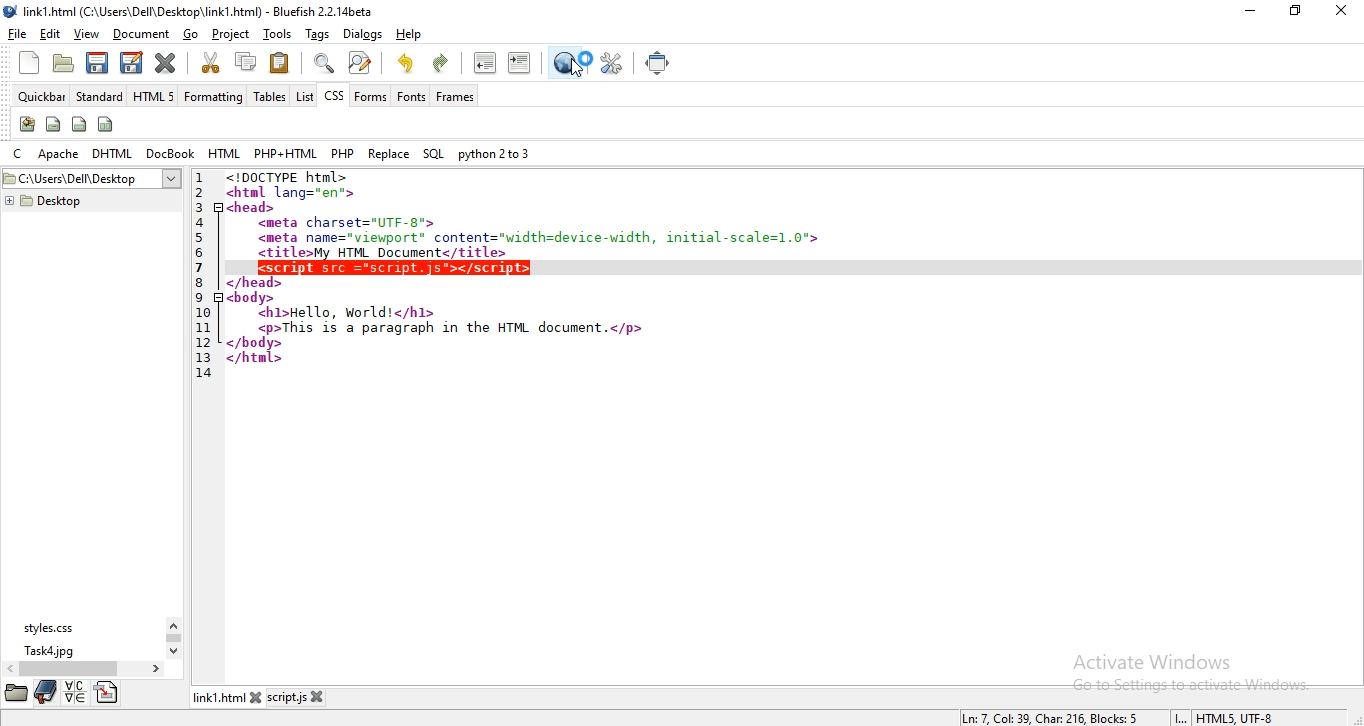 This screenshot has height=726, width=1364. Describe the element at coordinates (40, 97) in the screenshot. I see `quickbar` at that location.